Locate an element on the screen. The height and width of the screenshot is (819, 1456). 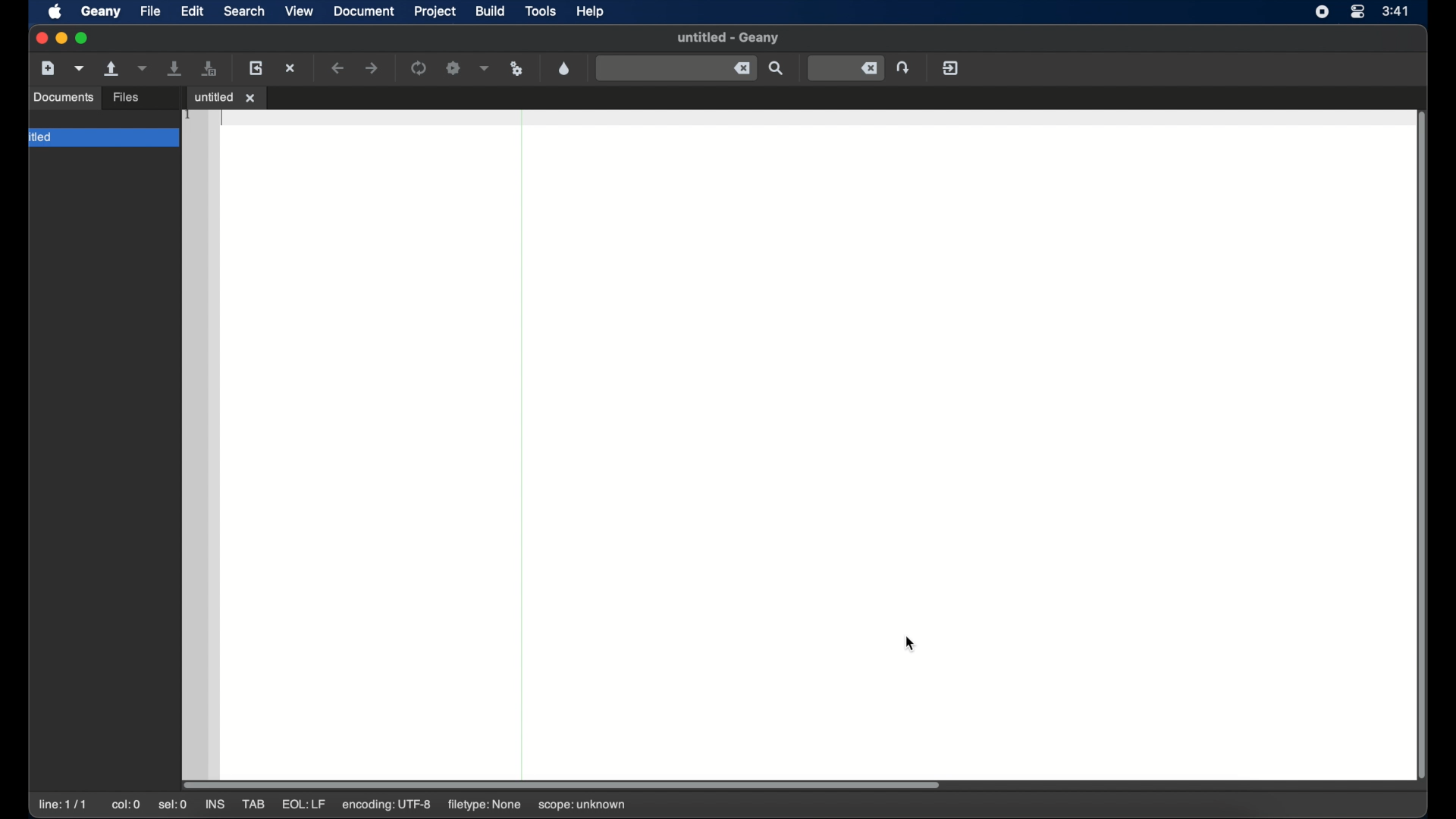
open an existing file is located at coordinates (113, 69).